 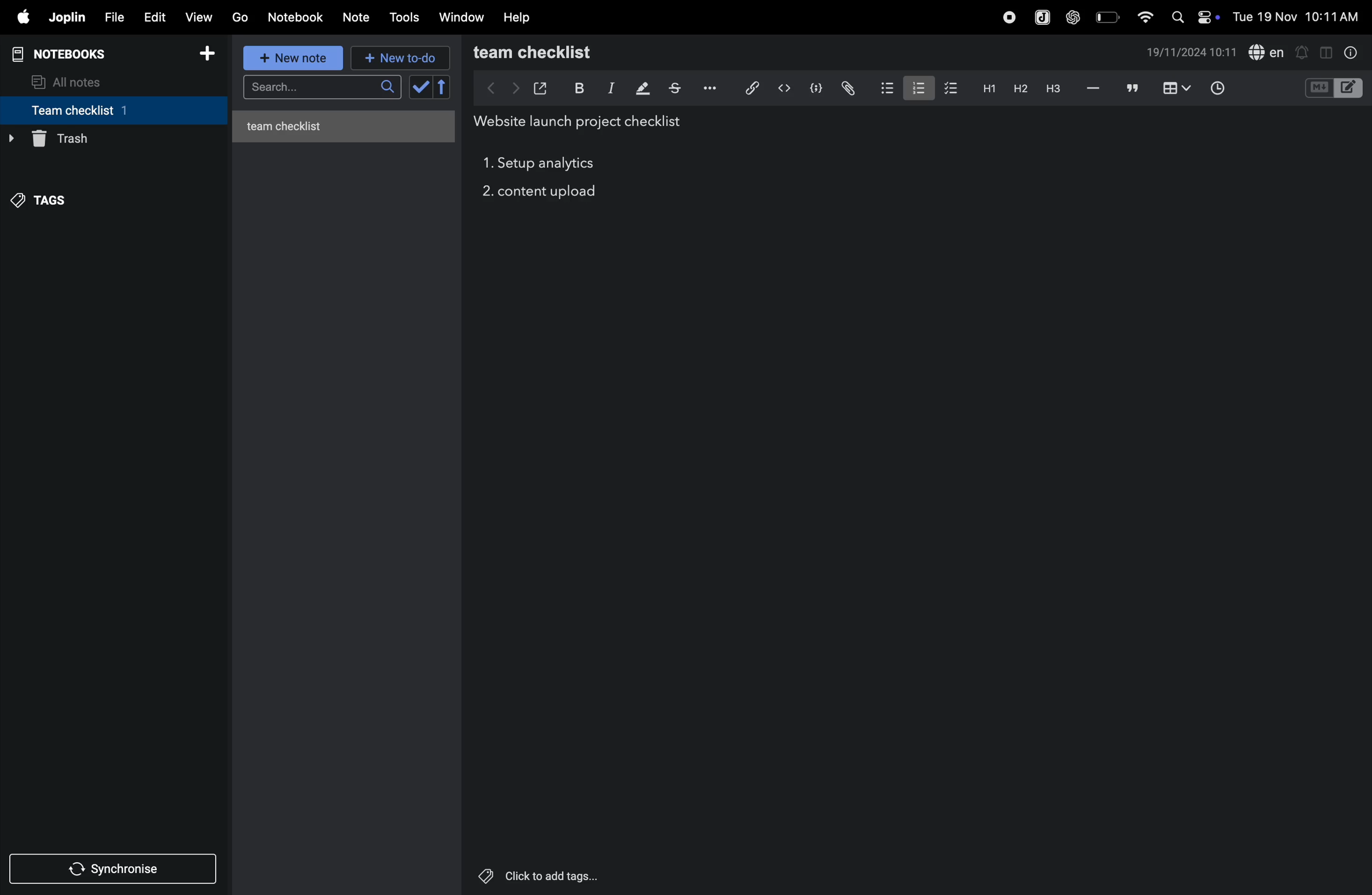 What do you see at coordinates (708, 88) in the screenshot?
I see `options` at bounding box center [708, 88].